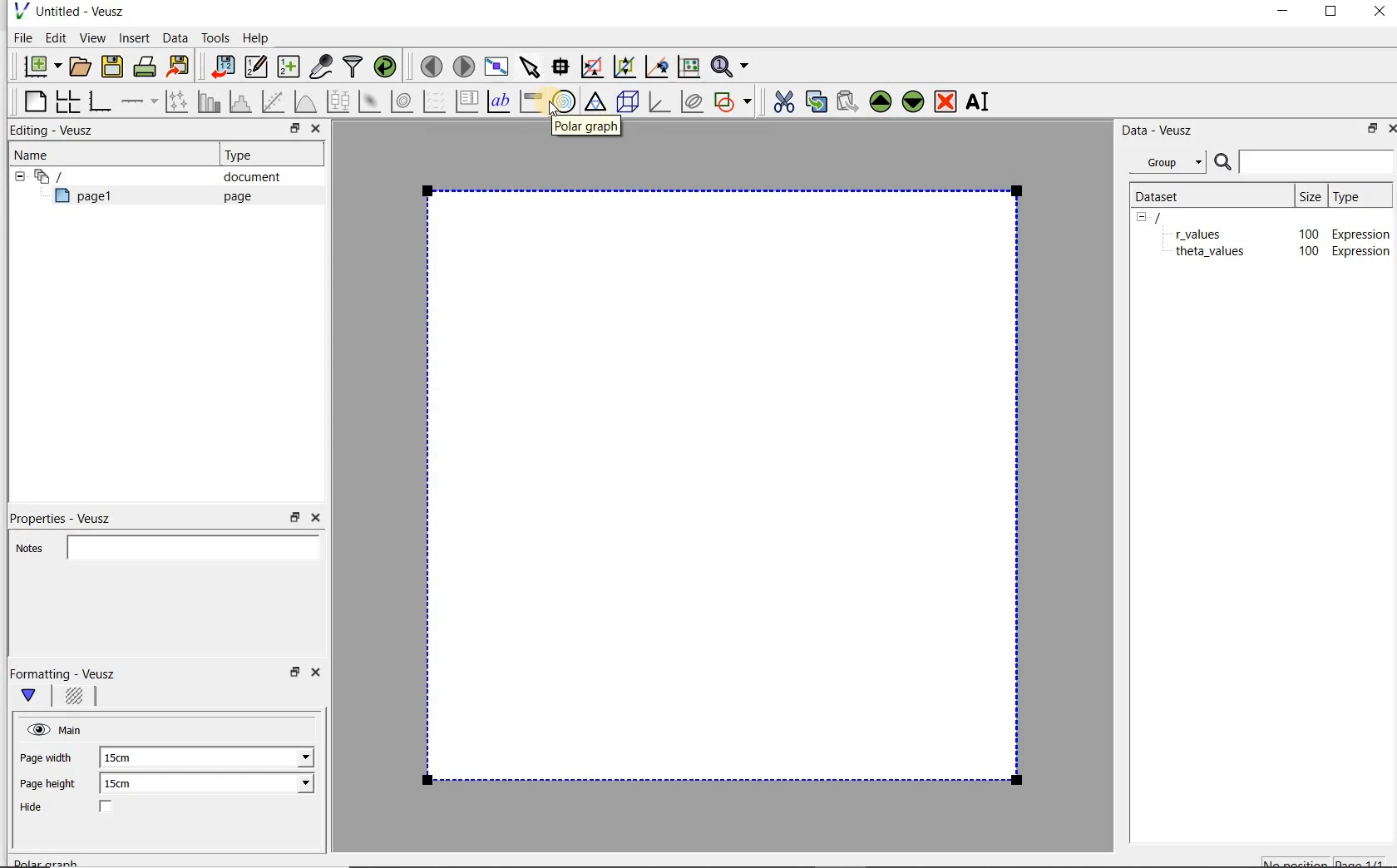 The height and width of the screenshot is (868, 1397). I want to click on Paste widget from the clipboard, so click(850, 101).